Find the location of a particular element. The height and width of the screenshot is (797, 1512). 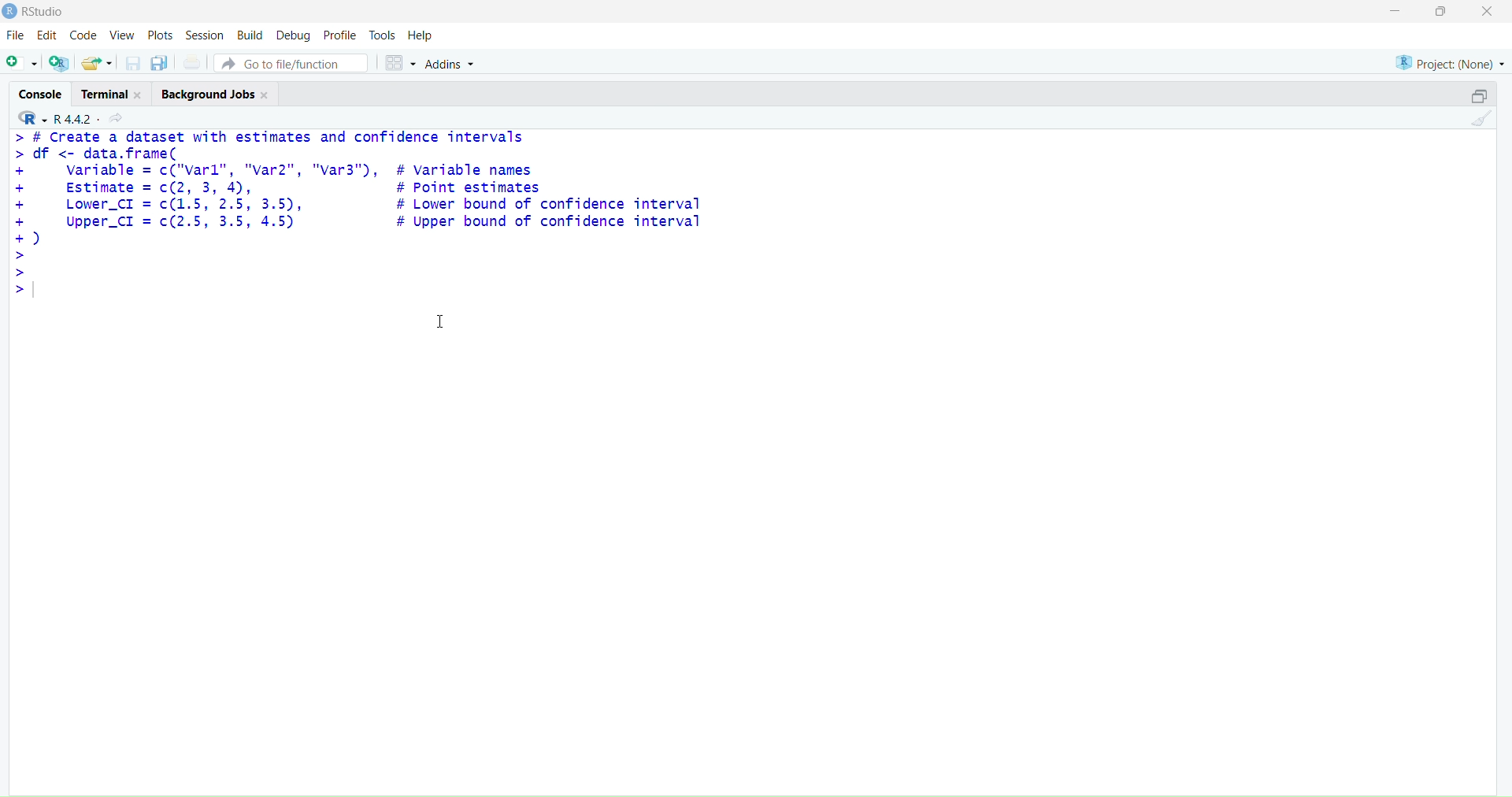

Project: (None) is located at coordinates (1450, 61).